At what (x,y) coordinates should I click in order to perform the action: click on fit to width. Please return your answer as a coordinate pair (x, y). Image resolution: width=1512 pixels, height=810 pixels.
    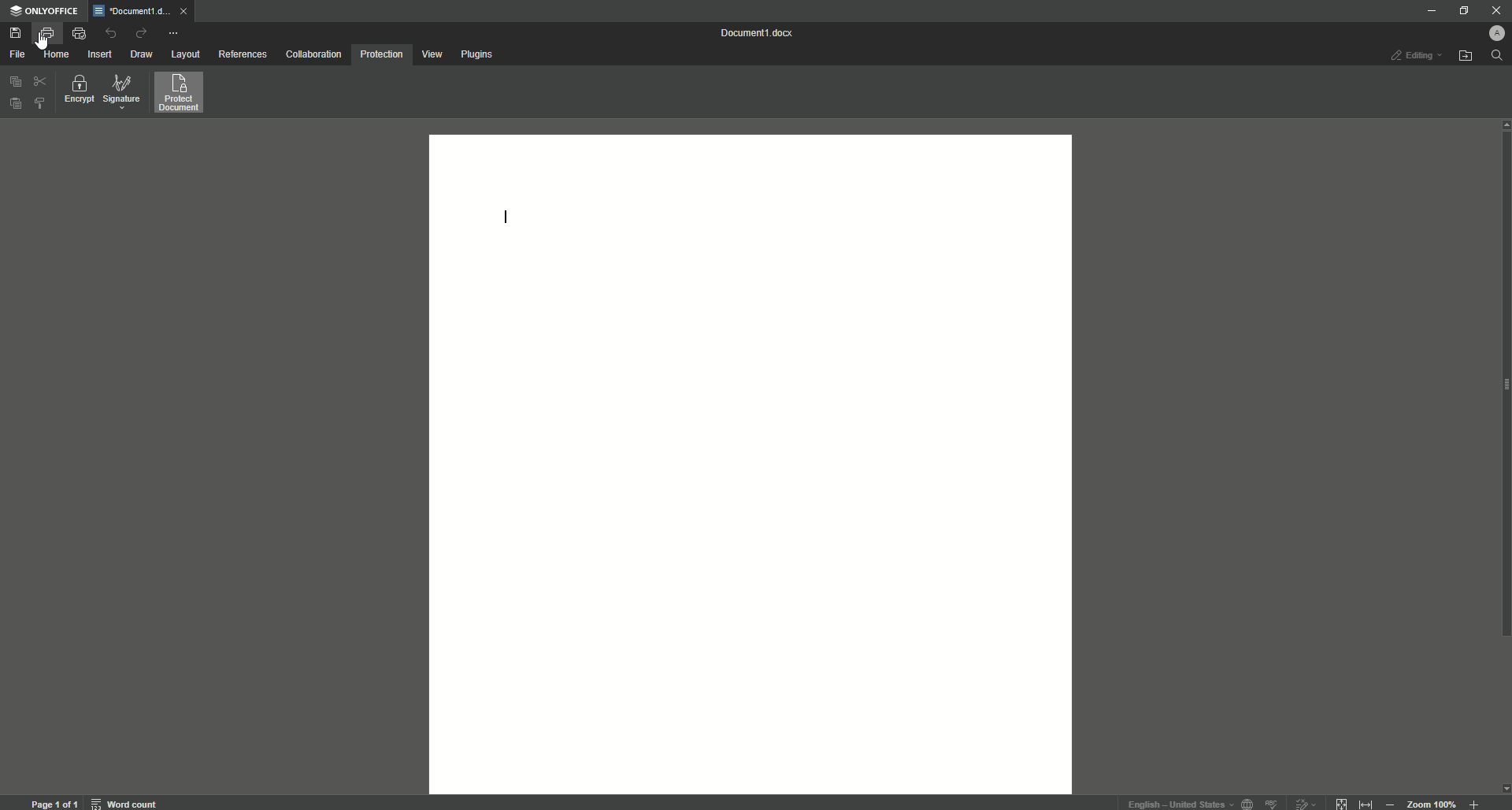
    Looking at the image, I should click on (1366, 802).